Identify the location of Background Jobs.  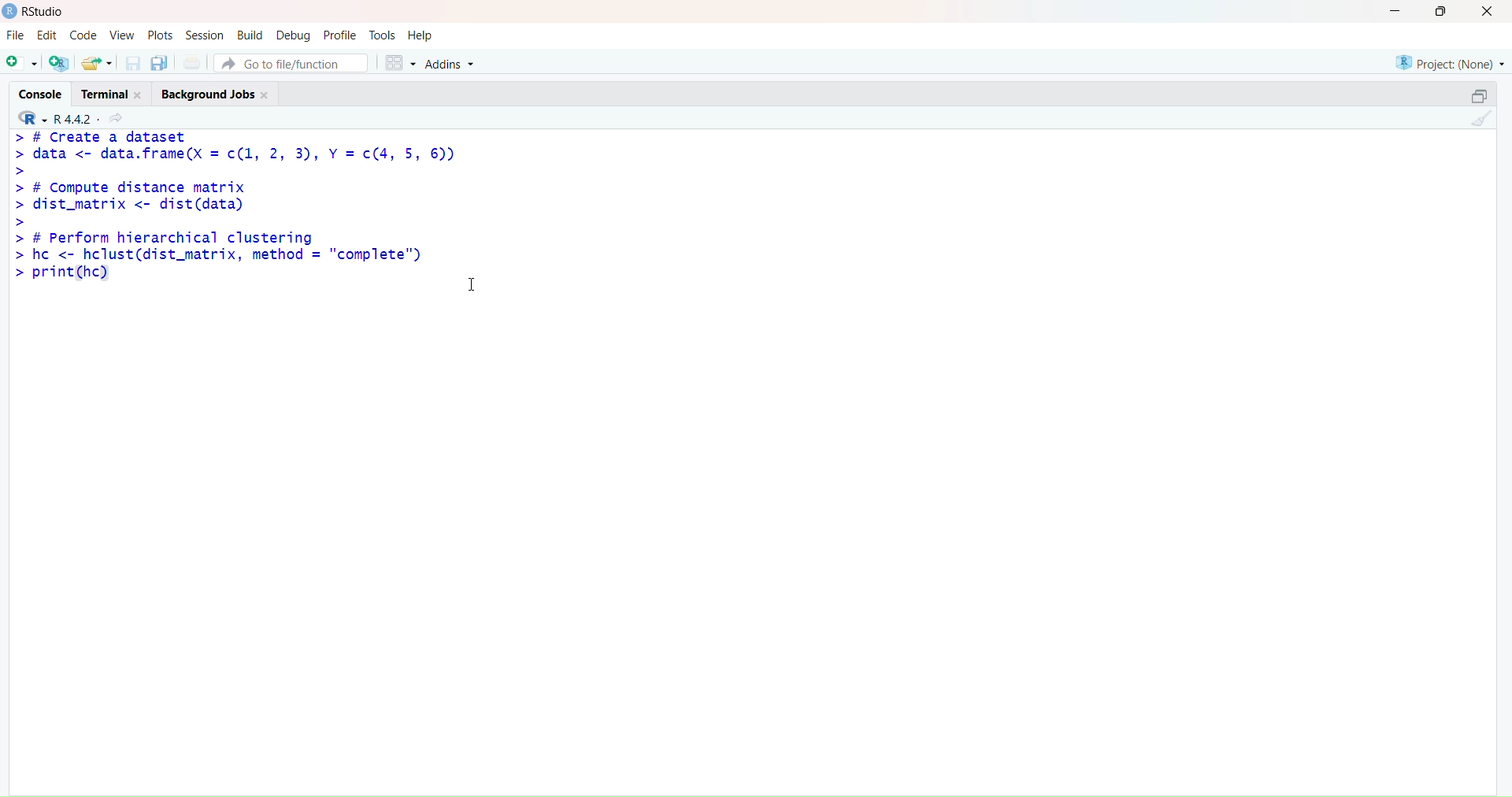
(213, 91).